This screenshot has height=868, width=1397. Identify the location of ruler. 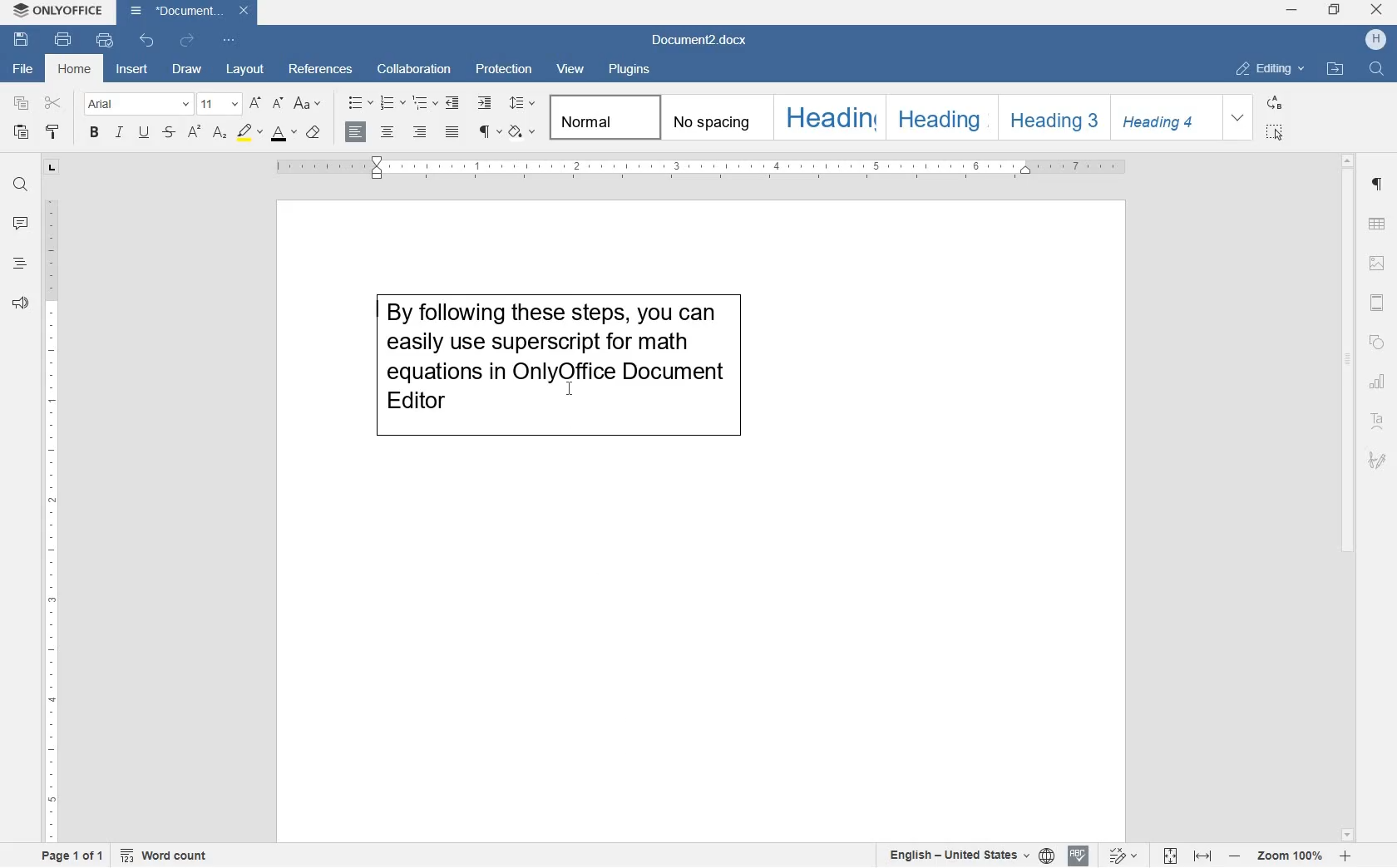
(50, 520).